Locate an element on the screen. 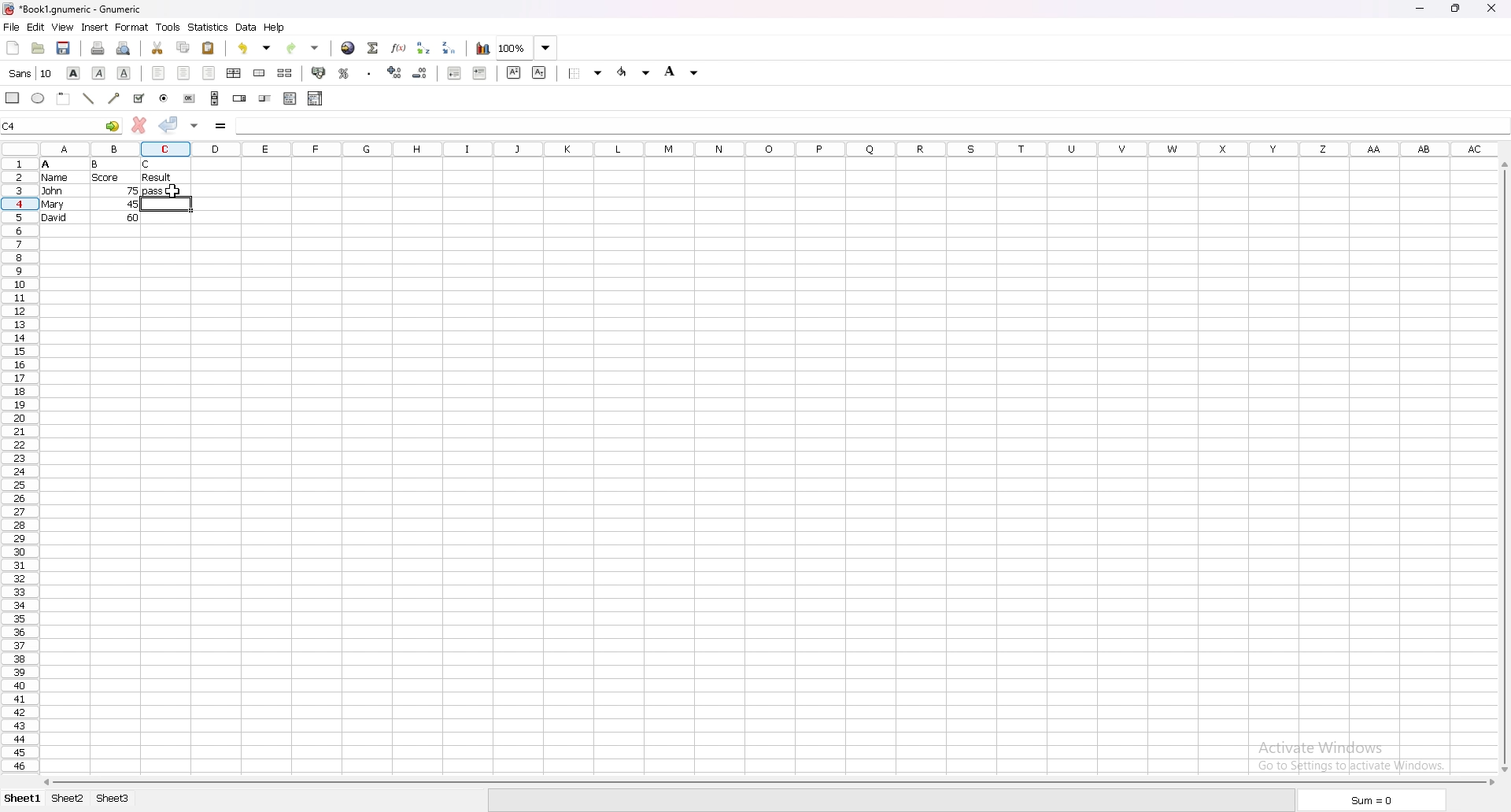  sort descending is located at coordinates (449, 47).